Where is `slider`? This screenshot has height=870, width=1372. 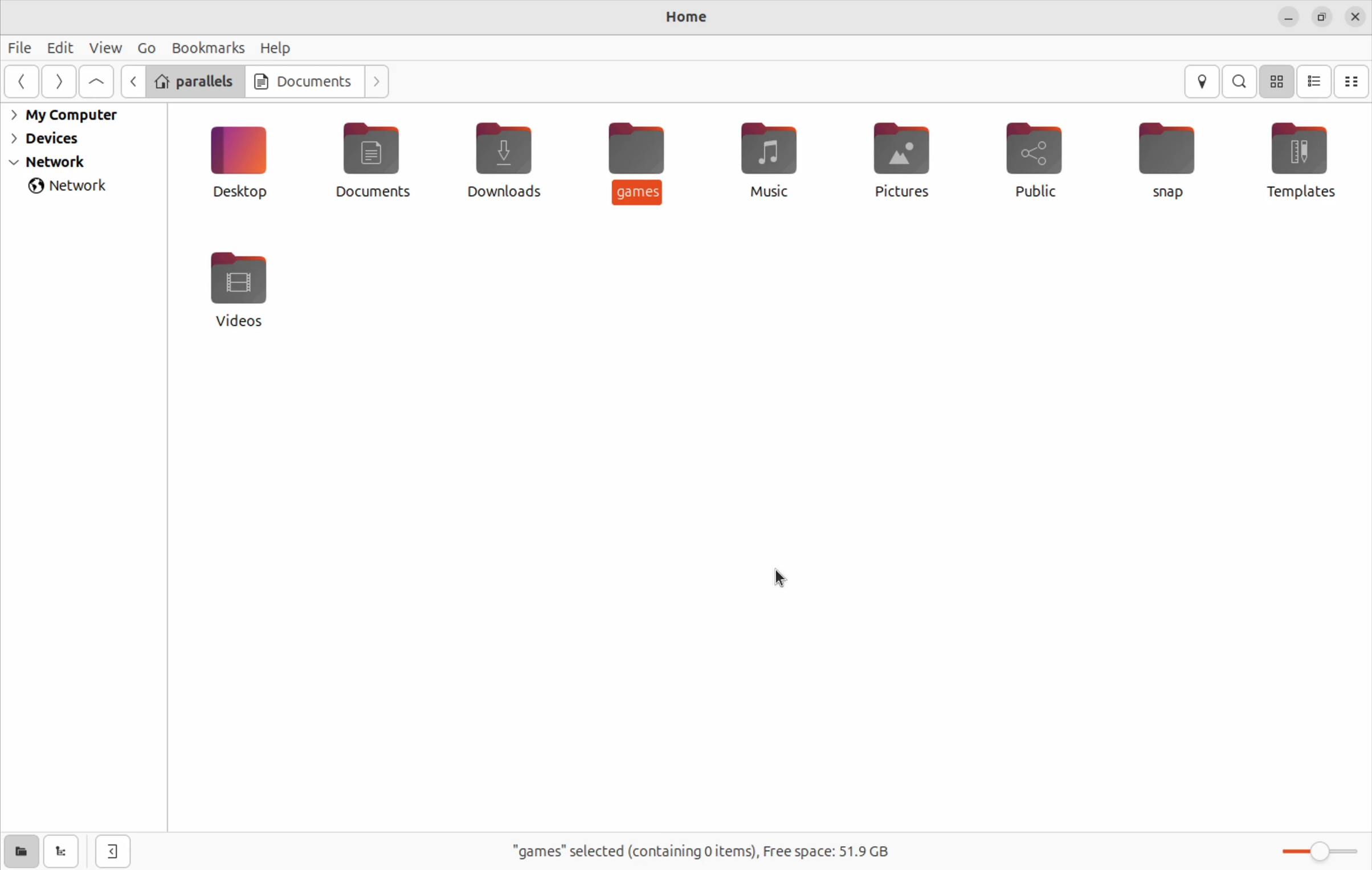
slider is located at coordinates (1323, 851).